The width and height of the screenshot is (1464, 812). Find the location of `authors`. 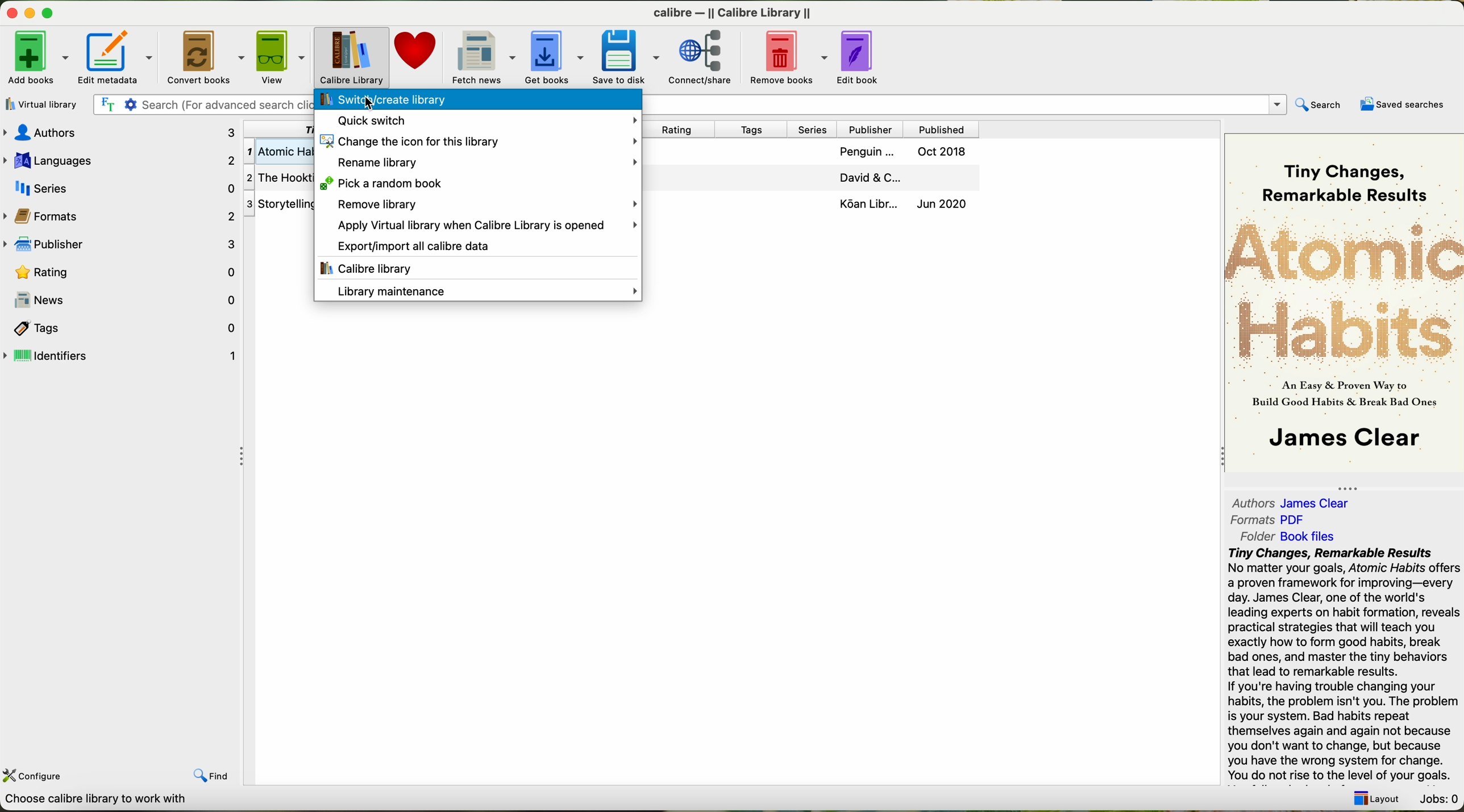

authors is located at coordinates (119, 131).